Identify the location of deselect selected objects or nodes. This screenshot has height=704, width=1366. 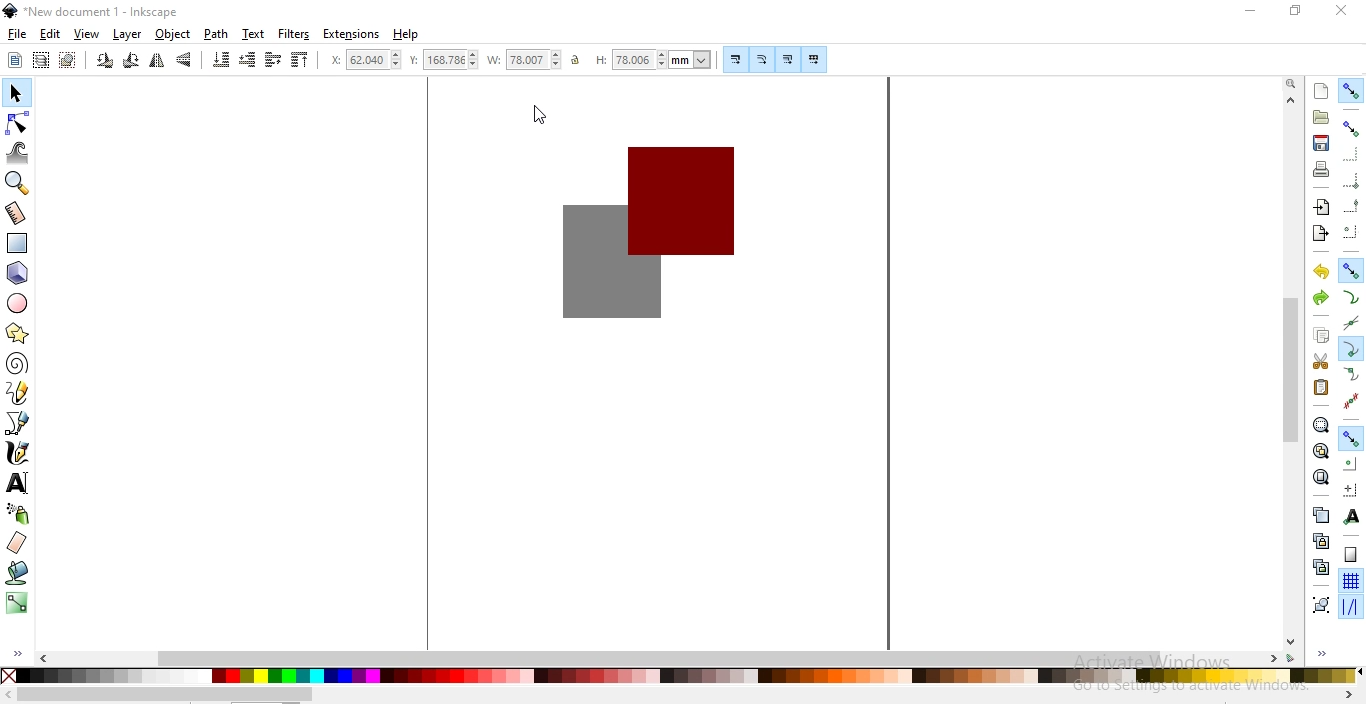
(70, 60).